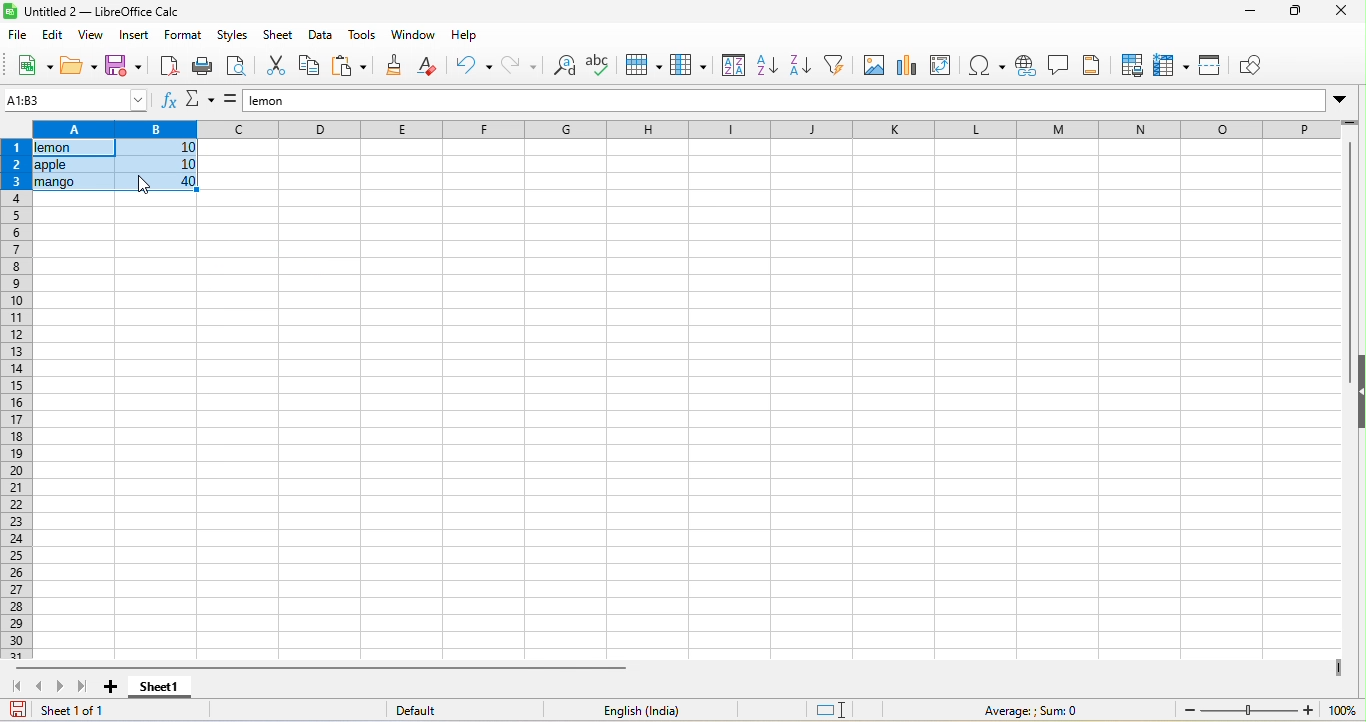 This screenshot has width=1366, height=722. What do you see at coordinates (1029, 712) in the screenshot?
I see `average: sum=0` at bounding box center [1029, 712].